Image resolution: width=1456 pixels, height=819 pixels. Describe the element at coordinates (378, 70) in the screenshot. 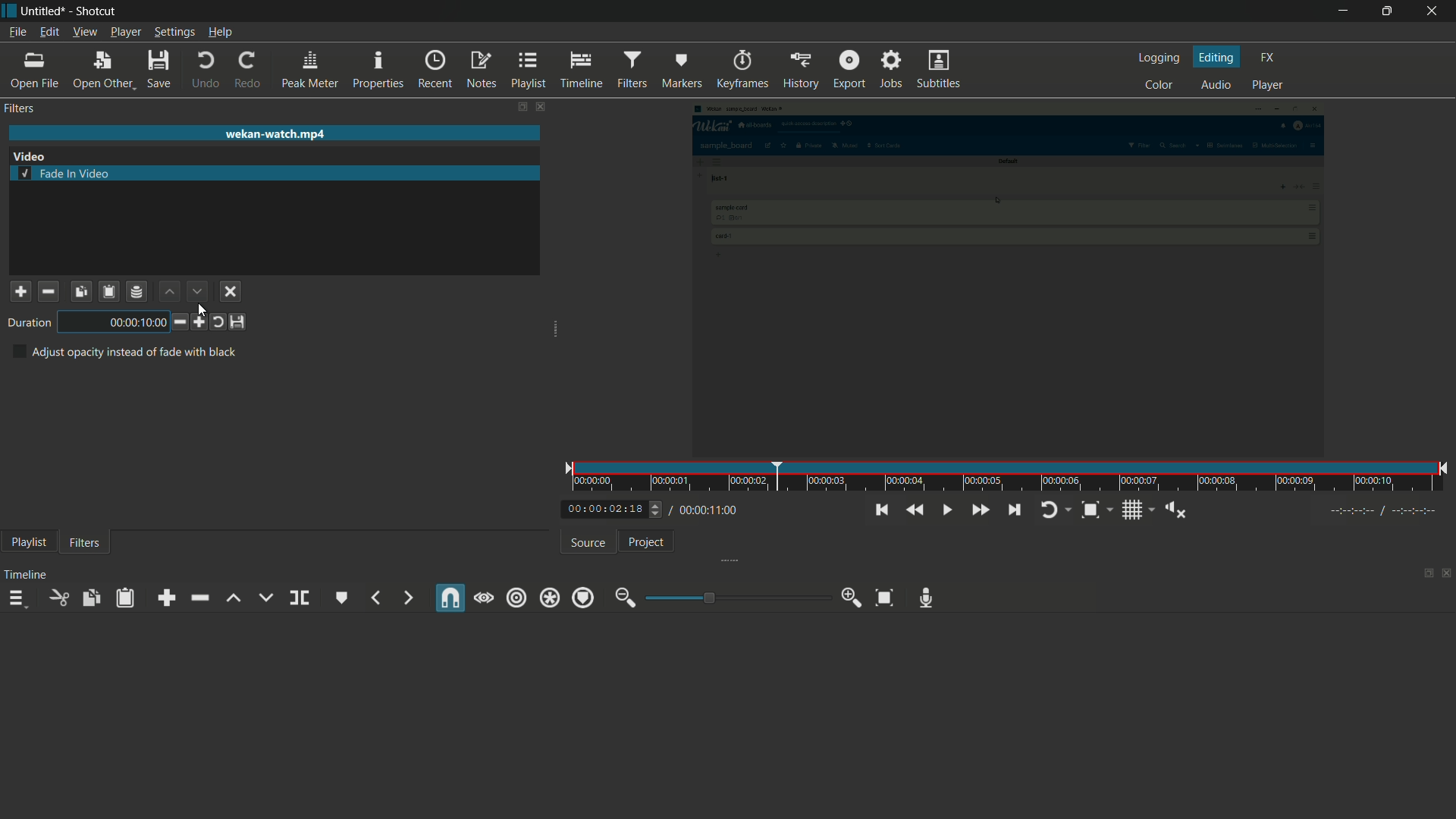

I see `properties` at that location.